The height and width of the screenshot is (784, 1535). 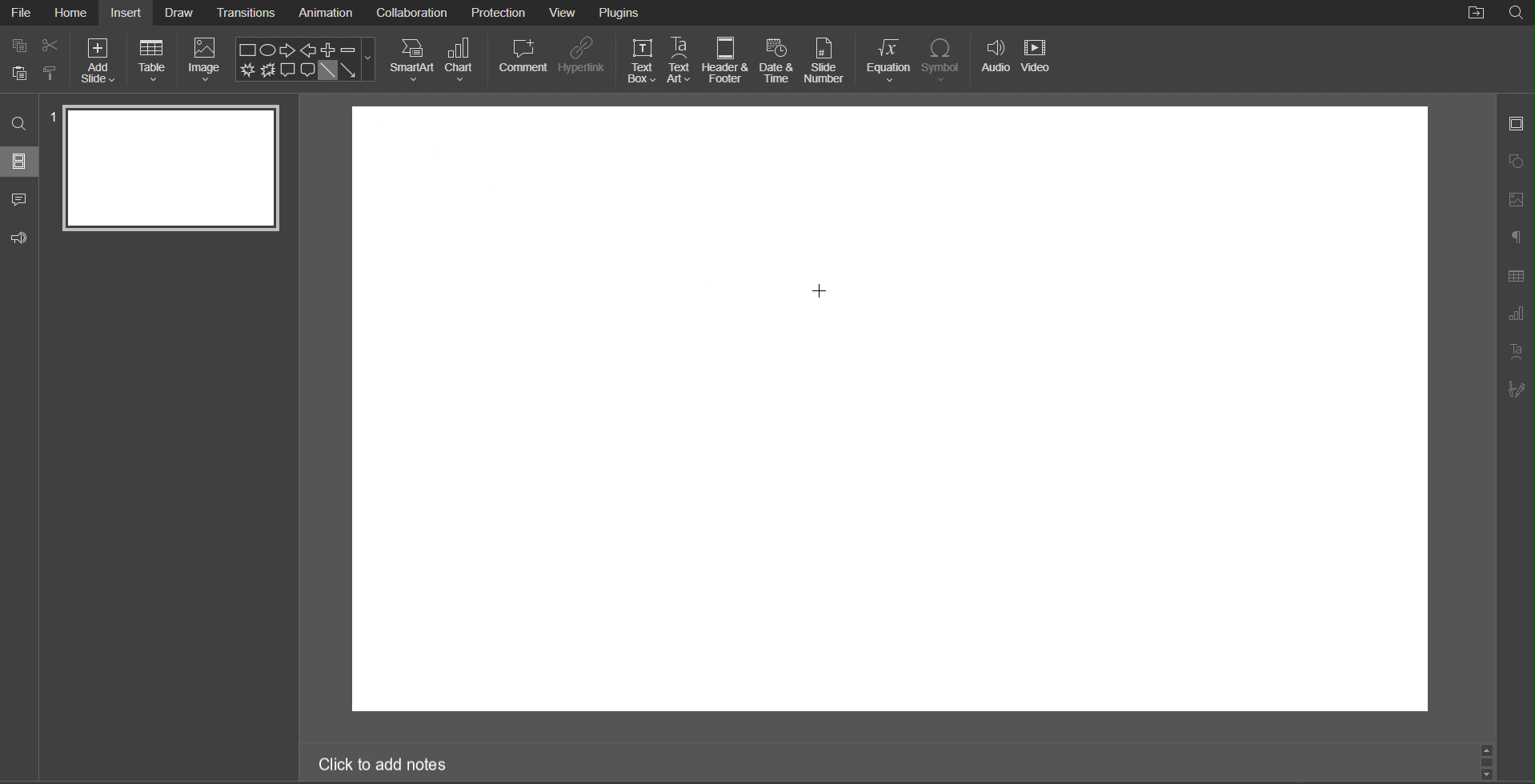 What do you see at coordinates (411, 59) in the screenshot?
I see `SmartArt` at bounding box center [411, 59].